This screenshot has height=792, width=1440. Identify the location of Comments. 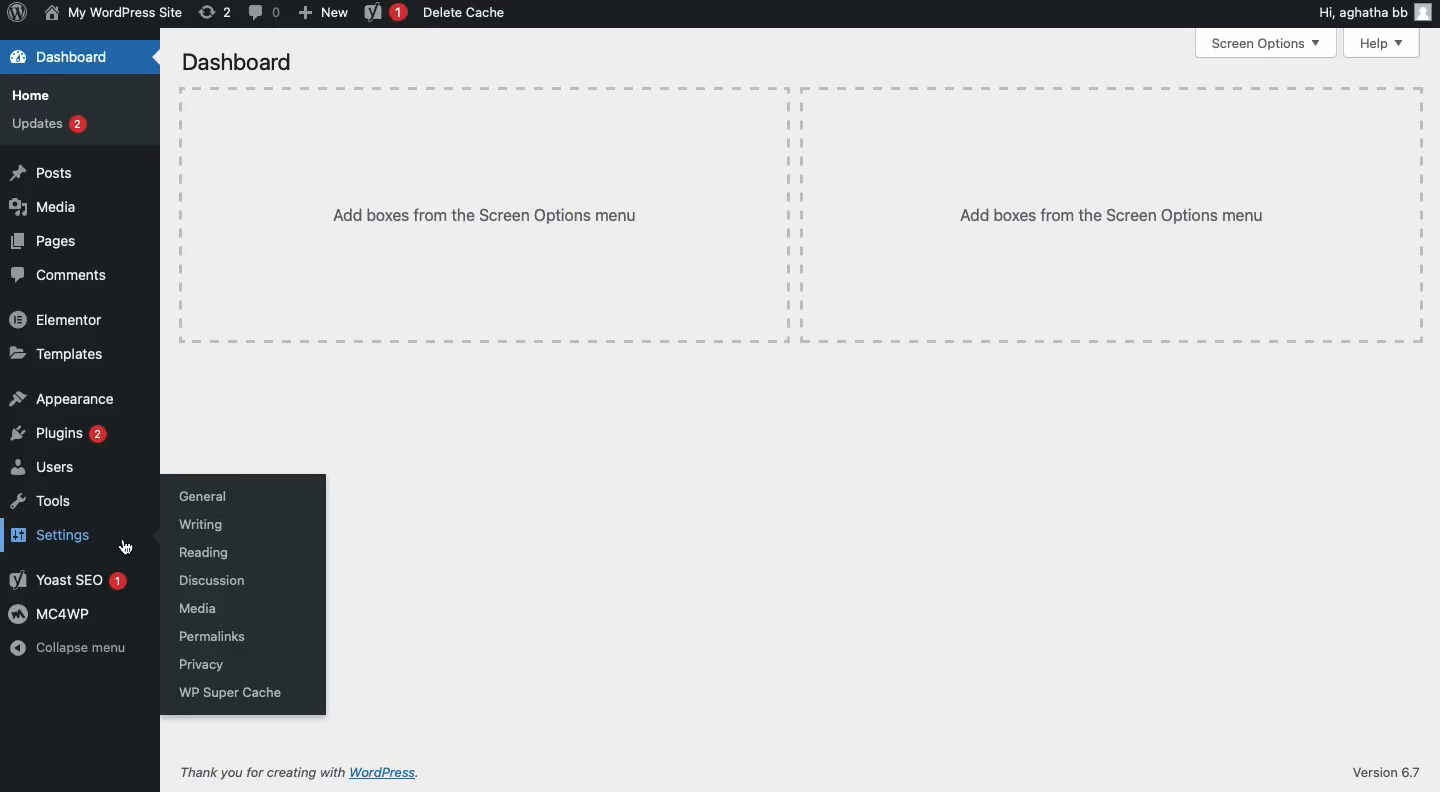
(57, 274).